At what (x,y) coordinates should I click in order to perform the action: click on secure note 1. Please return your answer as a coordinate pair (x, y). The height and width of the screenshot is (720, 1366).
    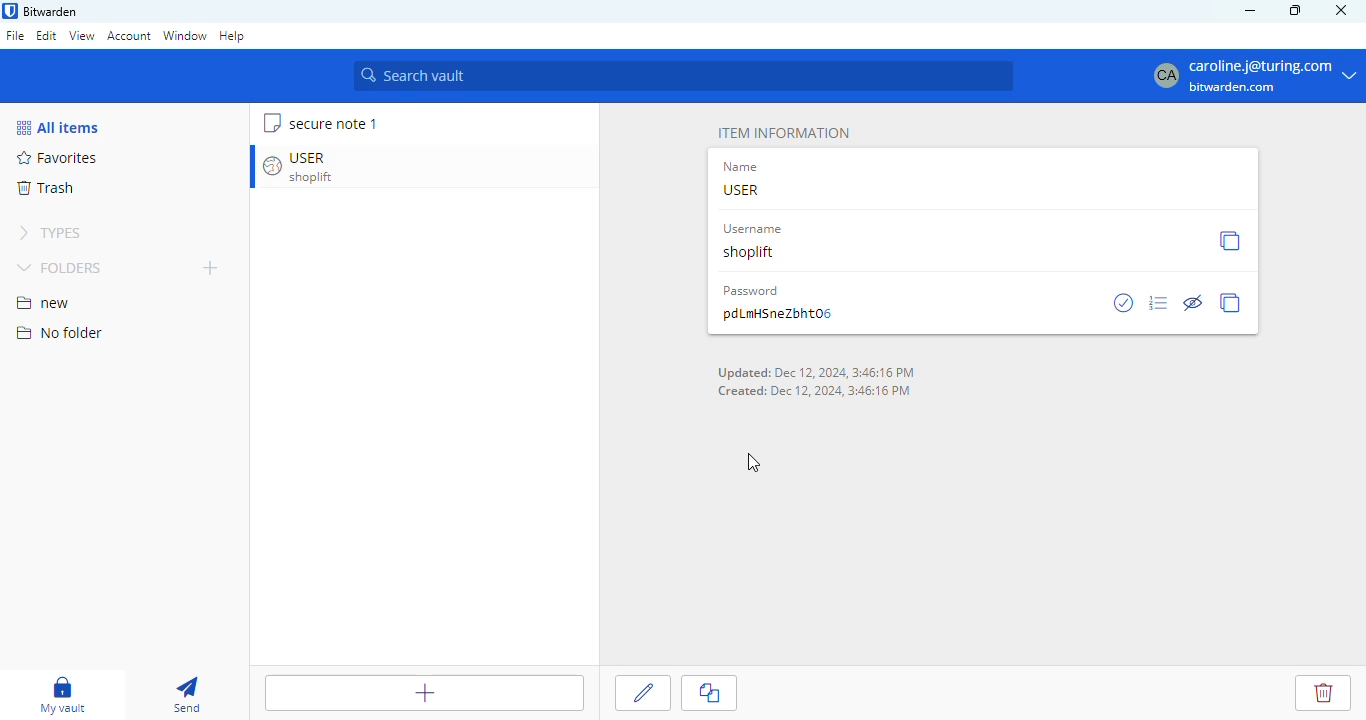
    Looking at the image, I should click on (332, 123).